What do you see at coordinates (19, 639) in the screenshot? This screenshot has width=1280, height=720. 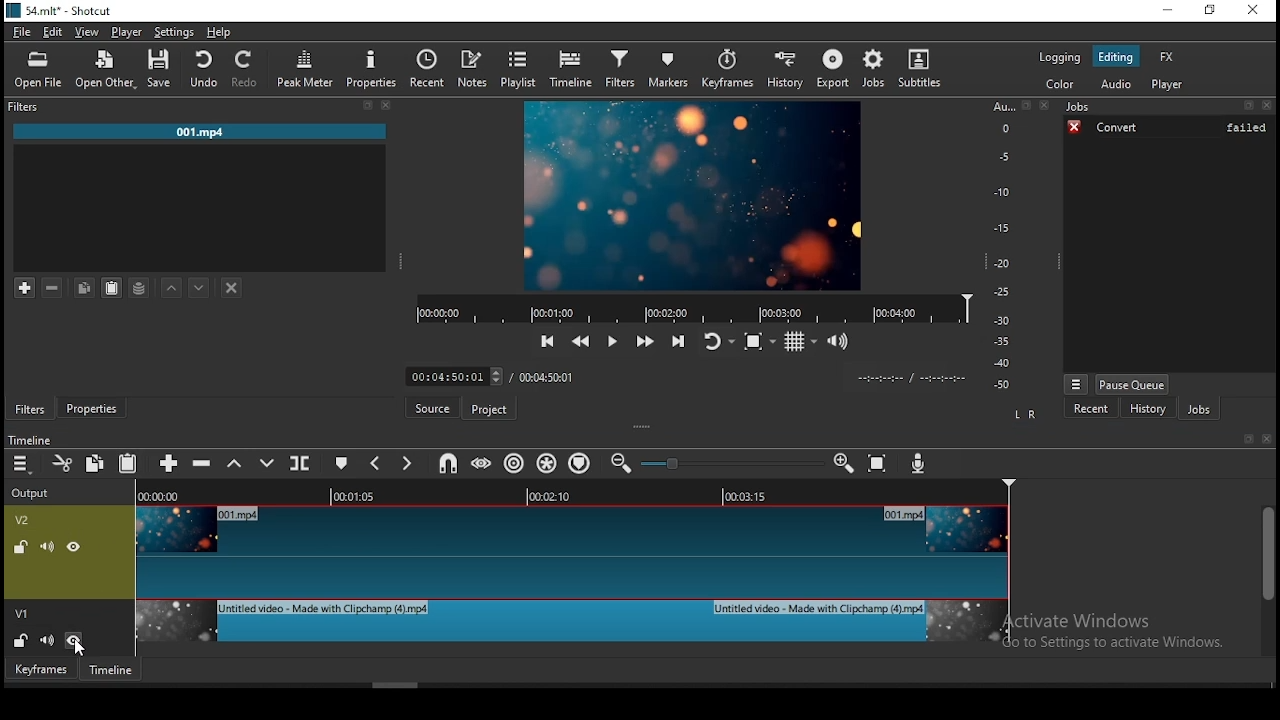 I see `(un)lock` at bounding box center [19, 639].